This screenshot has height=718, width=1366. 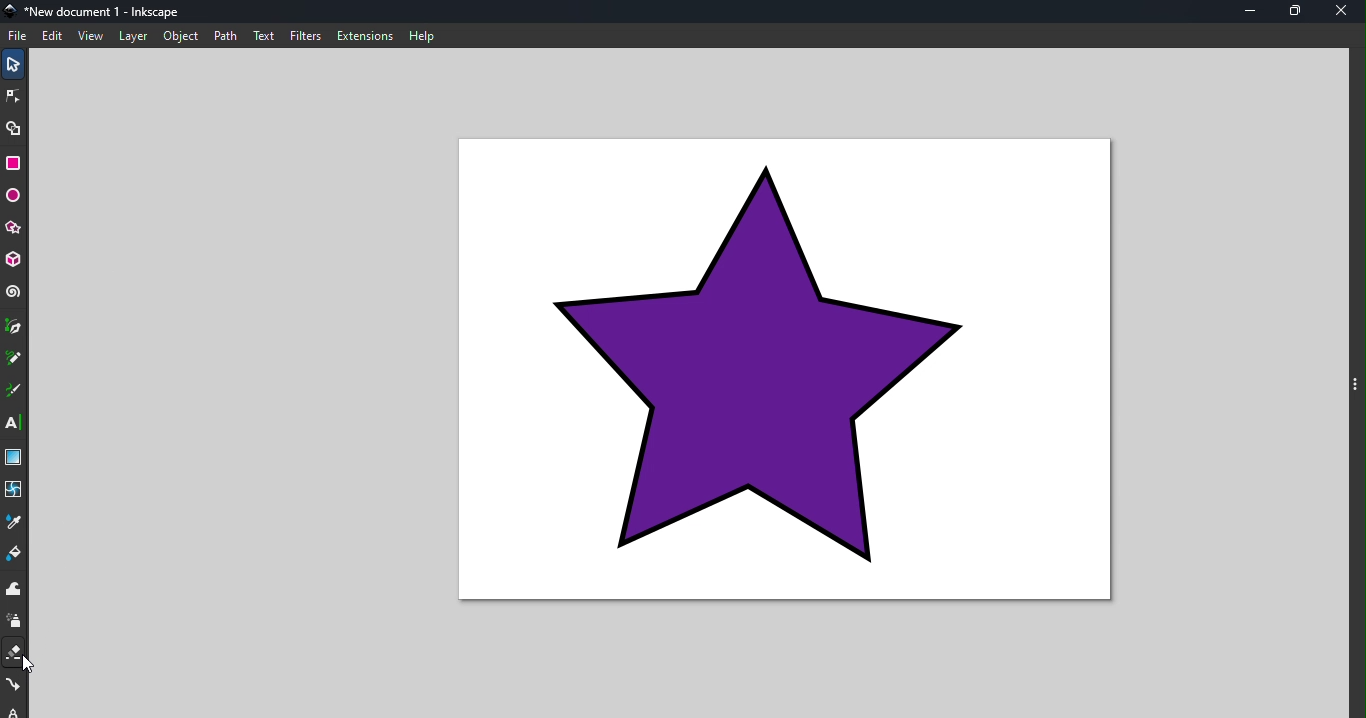 What do you see at coordinates (229, 36) in the screenshot?
I see `path` at bounding box center [229, 36].